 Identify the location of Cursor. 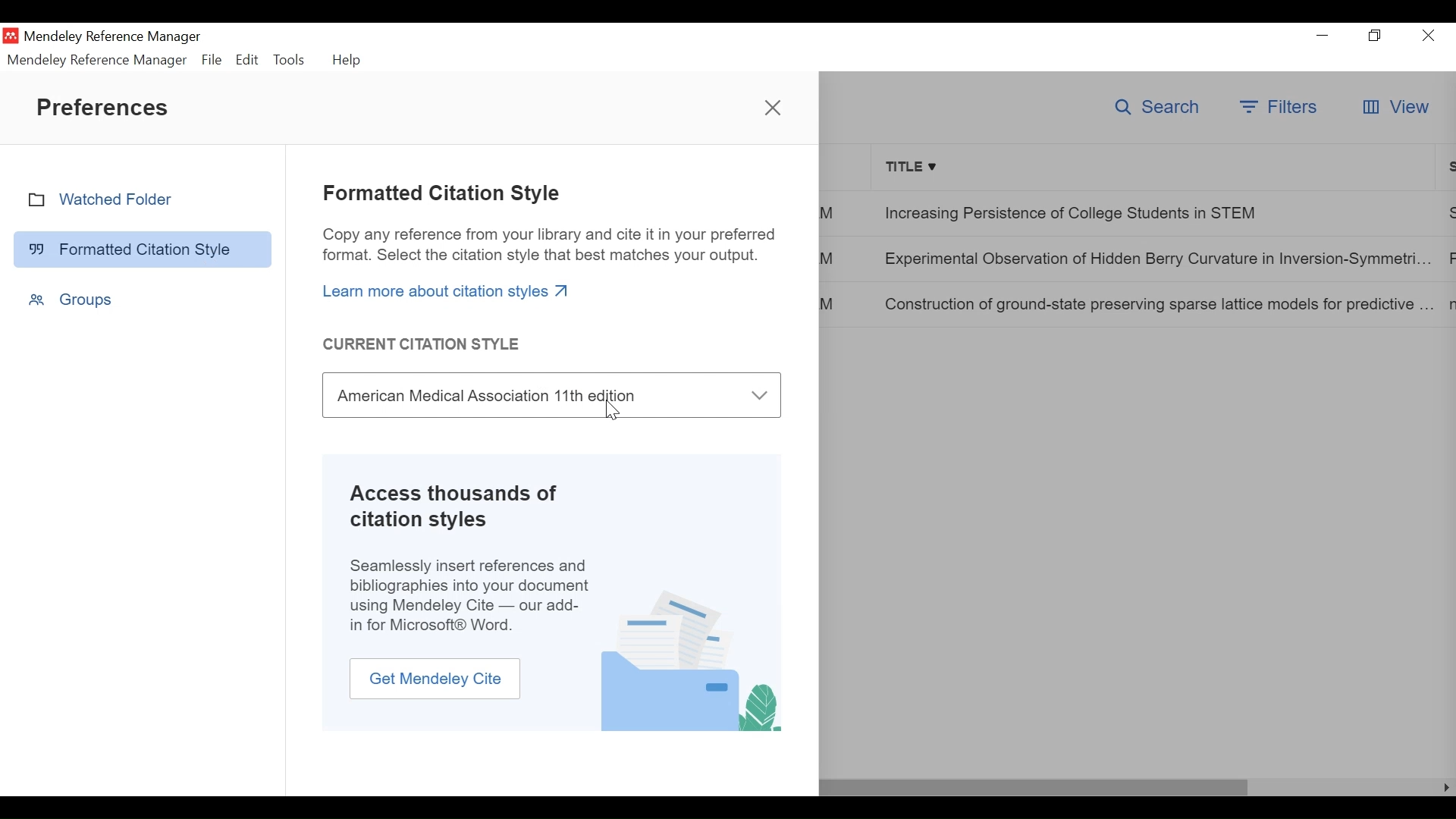
(613, 412).